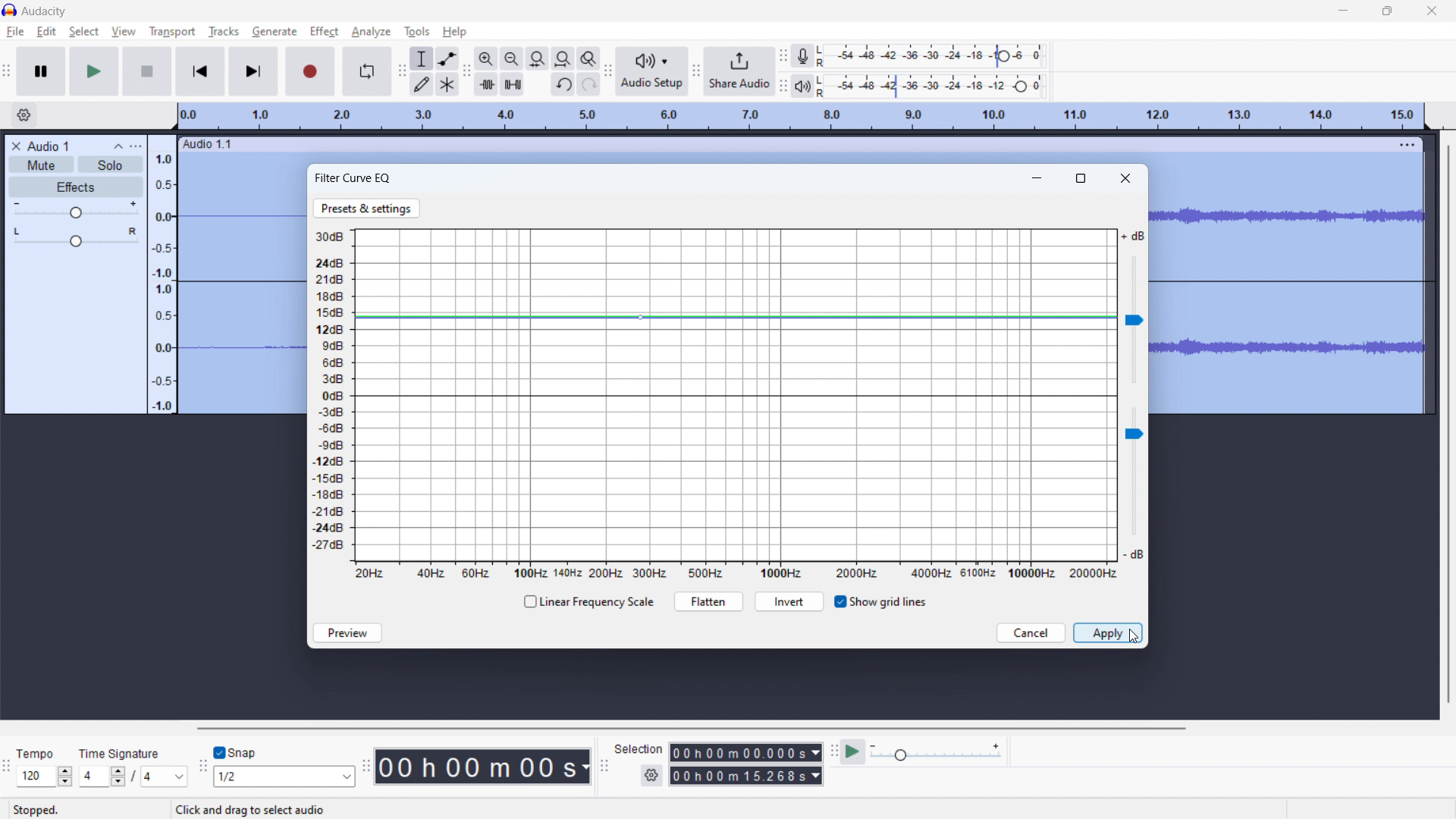 Image resolution: width=1456 pixels, height=819 pixels. Describe the element at coordinates (789, 602) in the screenshot. I see `invert` at that location.